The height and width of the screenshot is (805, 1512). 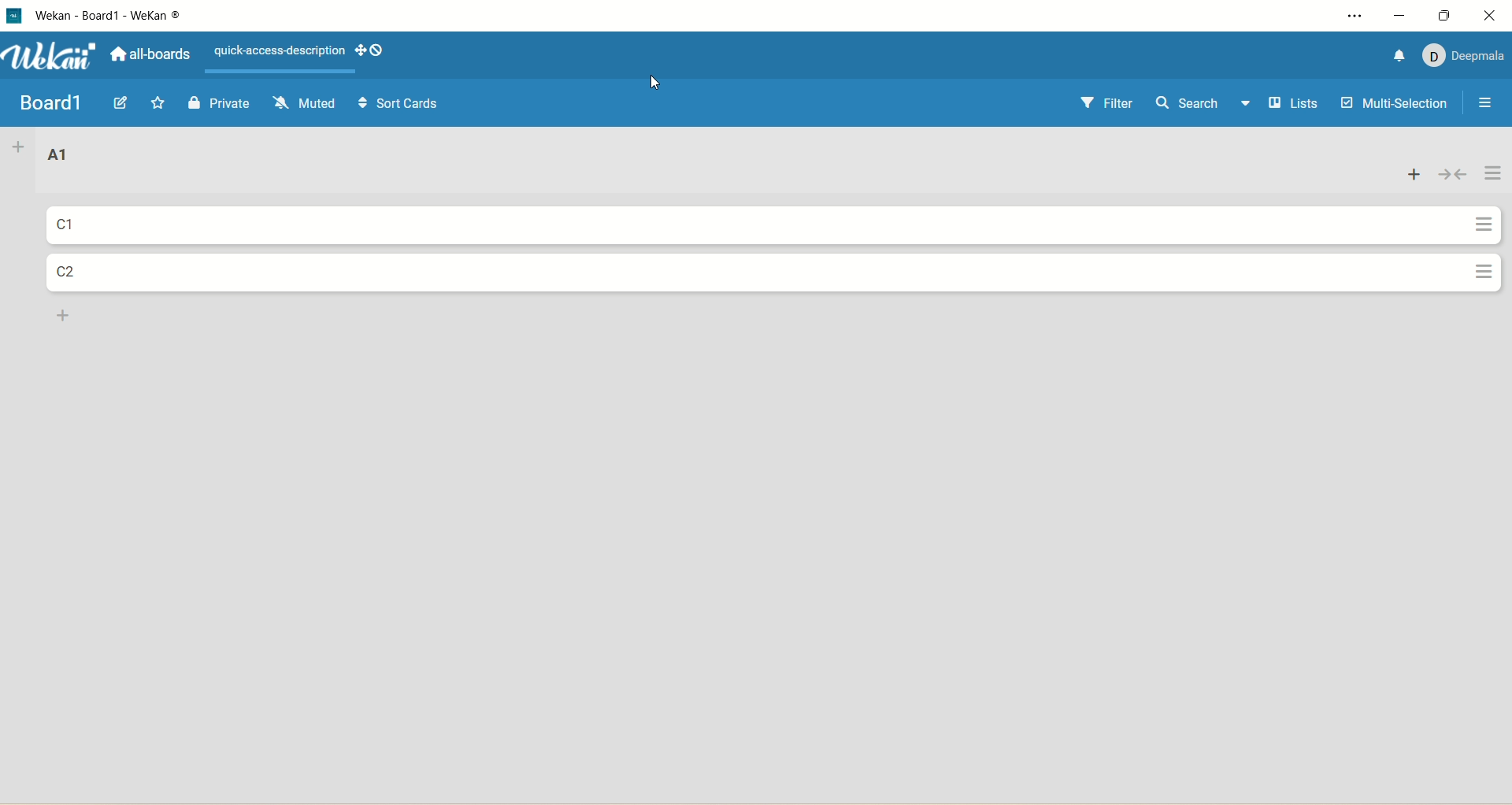 I want to click on title, so click(x=46, y=106).